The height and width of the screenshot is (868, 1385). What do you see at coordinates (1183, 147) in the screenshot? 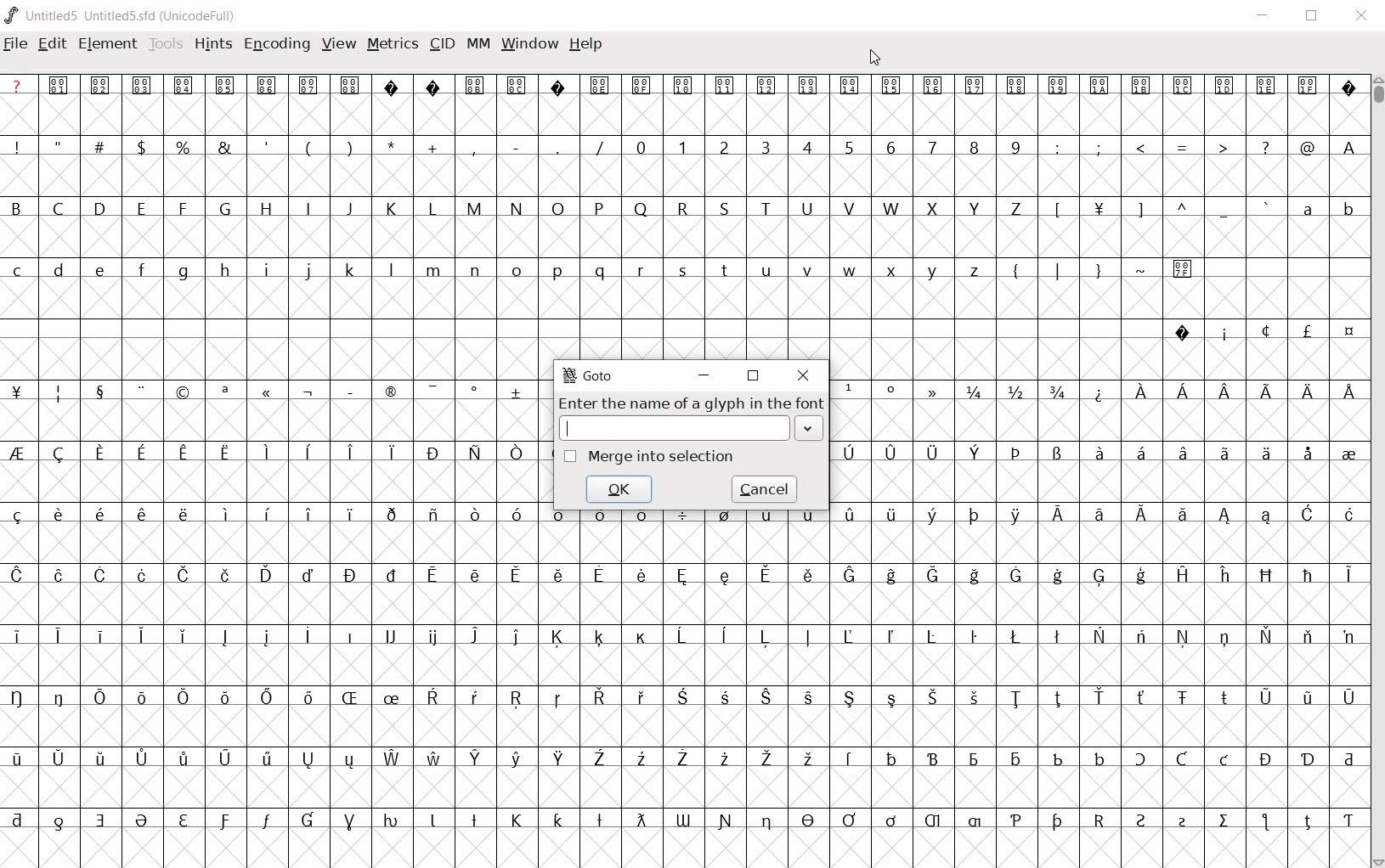
I see `=` at bounding box center [1183, 147].